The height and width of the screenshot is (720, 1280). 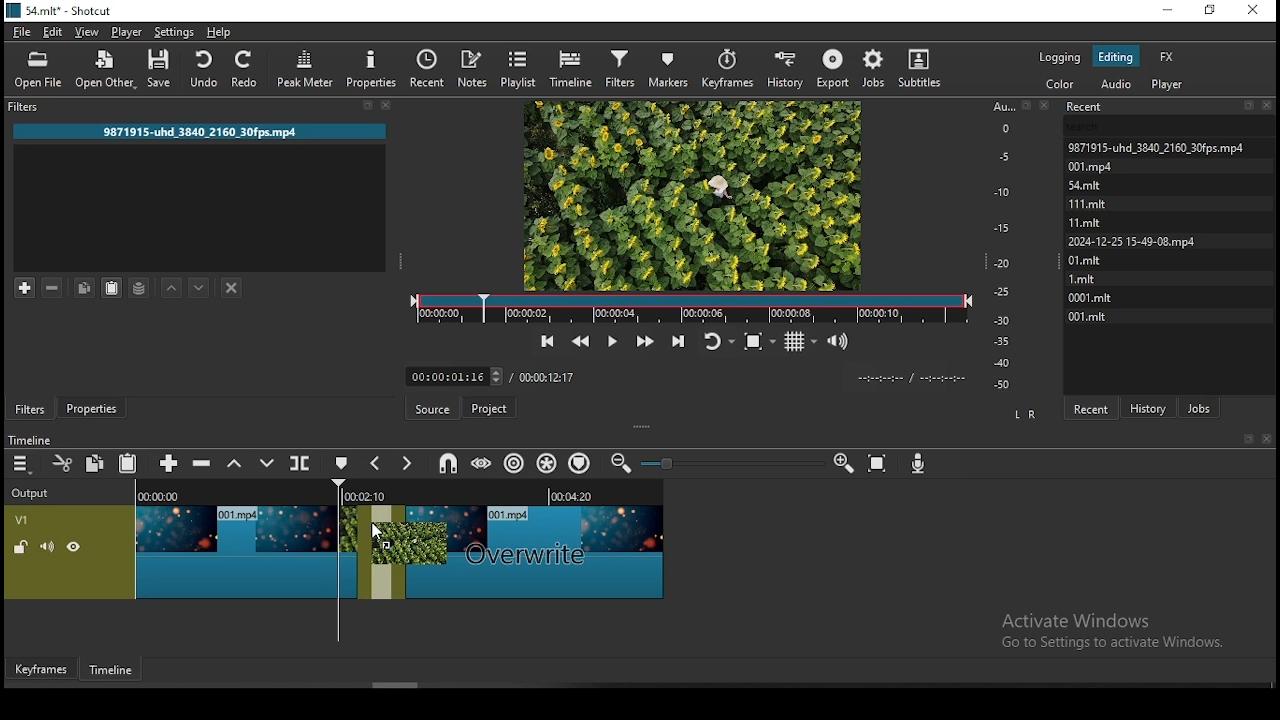 I want to click on zoom timeline in, so click(x=626, y=462).